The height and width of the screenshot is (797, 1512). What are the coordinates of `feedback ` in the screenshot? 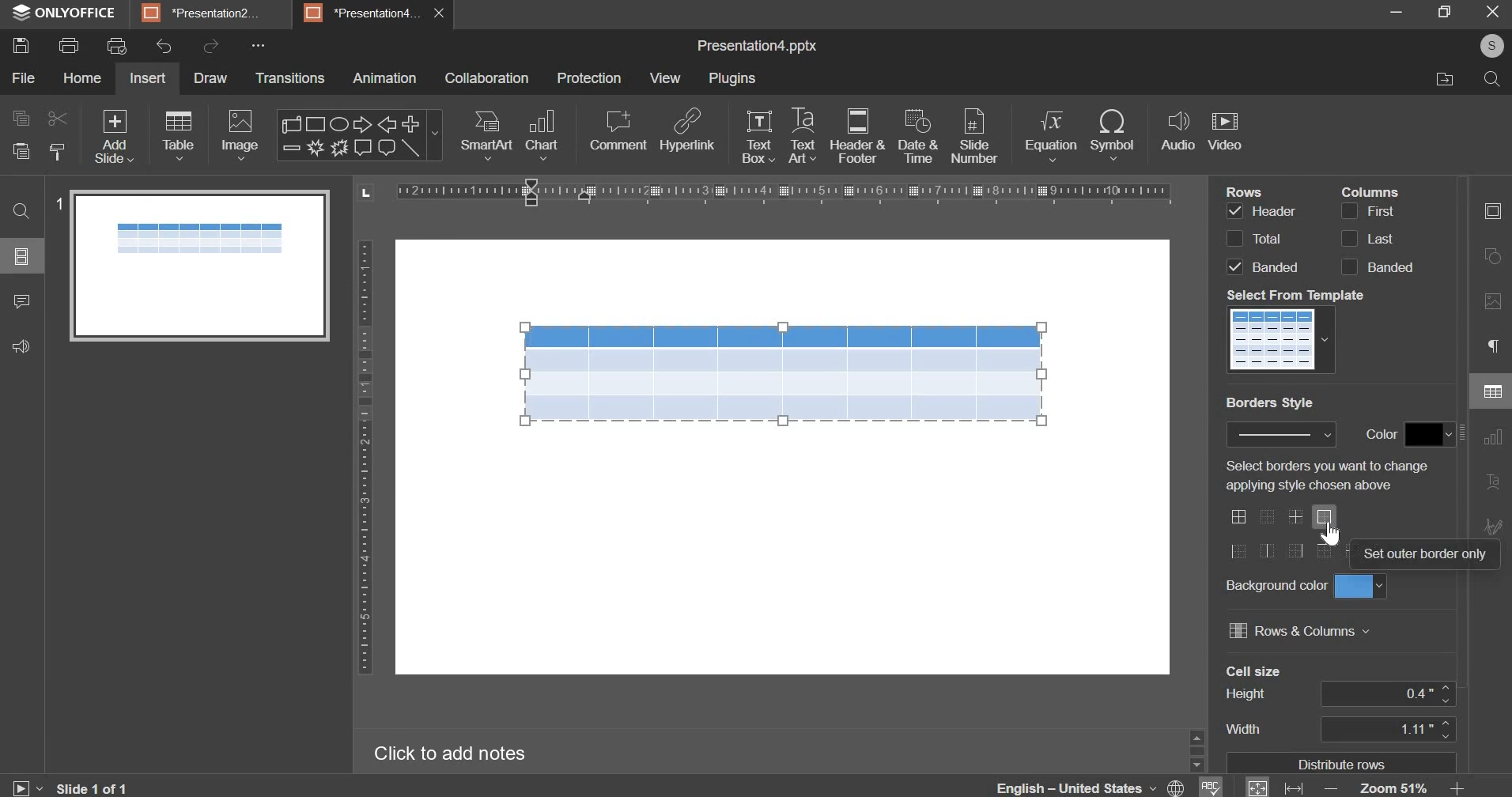 It's located at (23, 346).